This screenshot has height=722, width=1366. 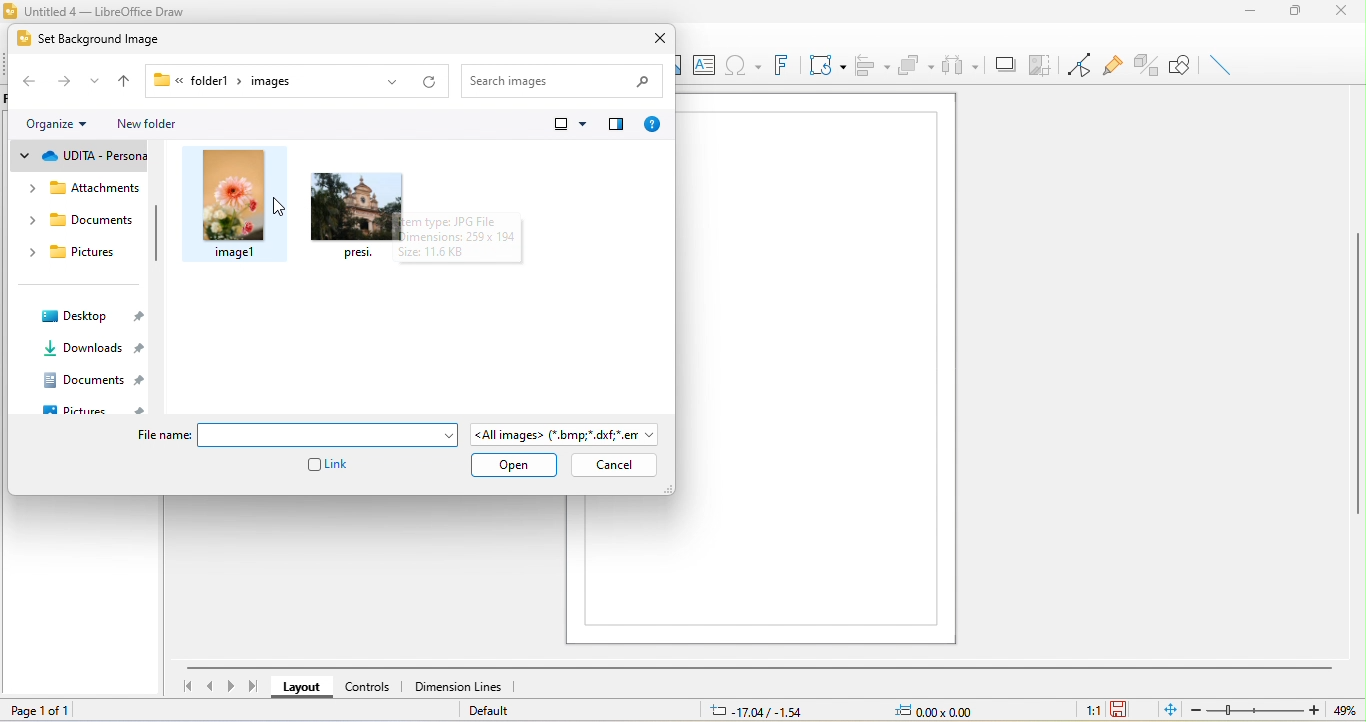 I want to click on -17.04/-1.54, so click(x=762, y=709).